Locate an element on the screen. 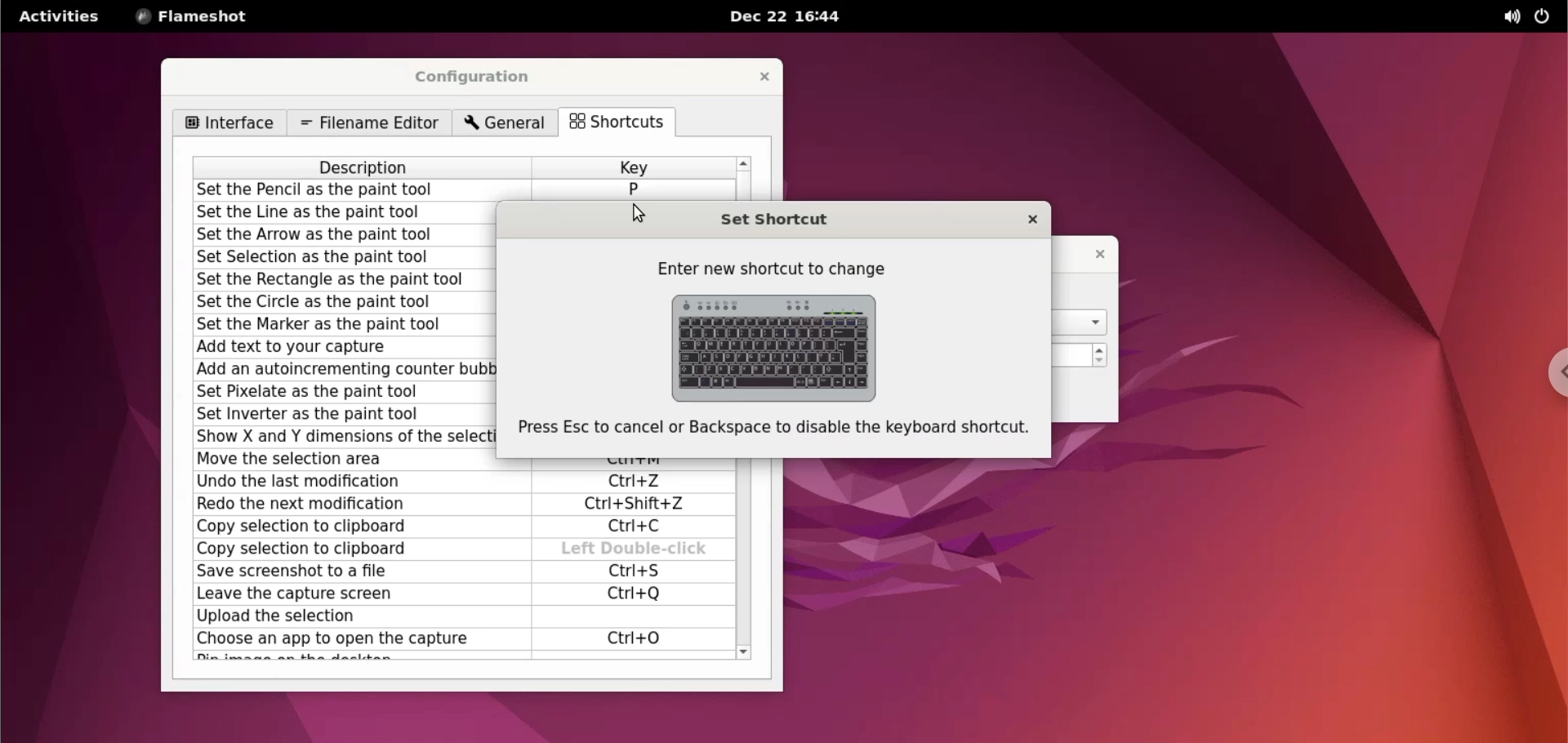 Image resolution: width=1568 pixels, height=743 pixels. description  is located at coordinates (366, 167).